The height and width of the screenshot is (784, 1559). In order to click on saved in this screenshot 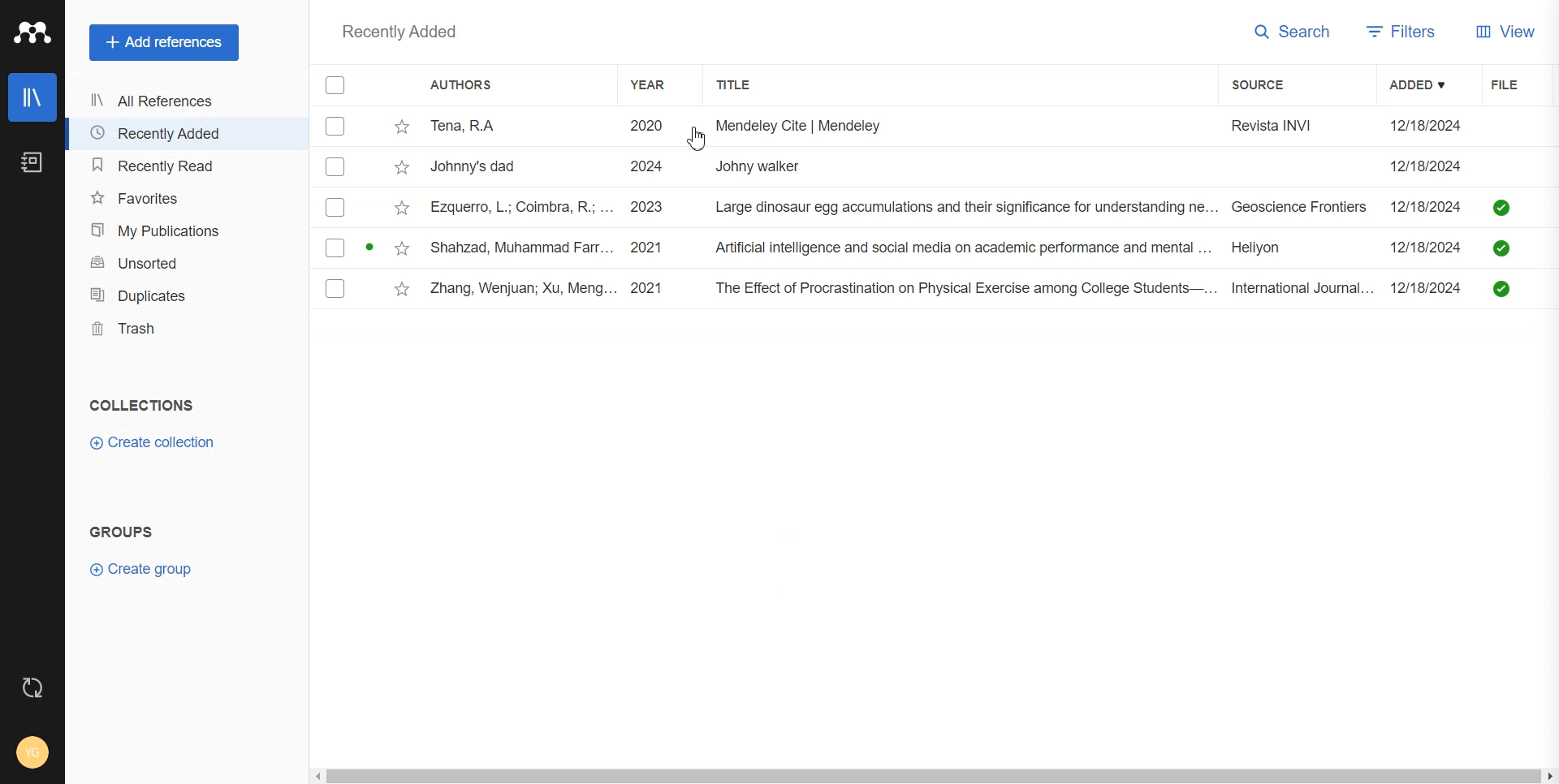, I will do `click(1501, 250)`.